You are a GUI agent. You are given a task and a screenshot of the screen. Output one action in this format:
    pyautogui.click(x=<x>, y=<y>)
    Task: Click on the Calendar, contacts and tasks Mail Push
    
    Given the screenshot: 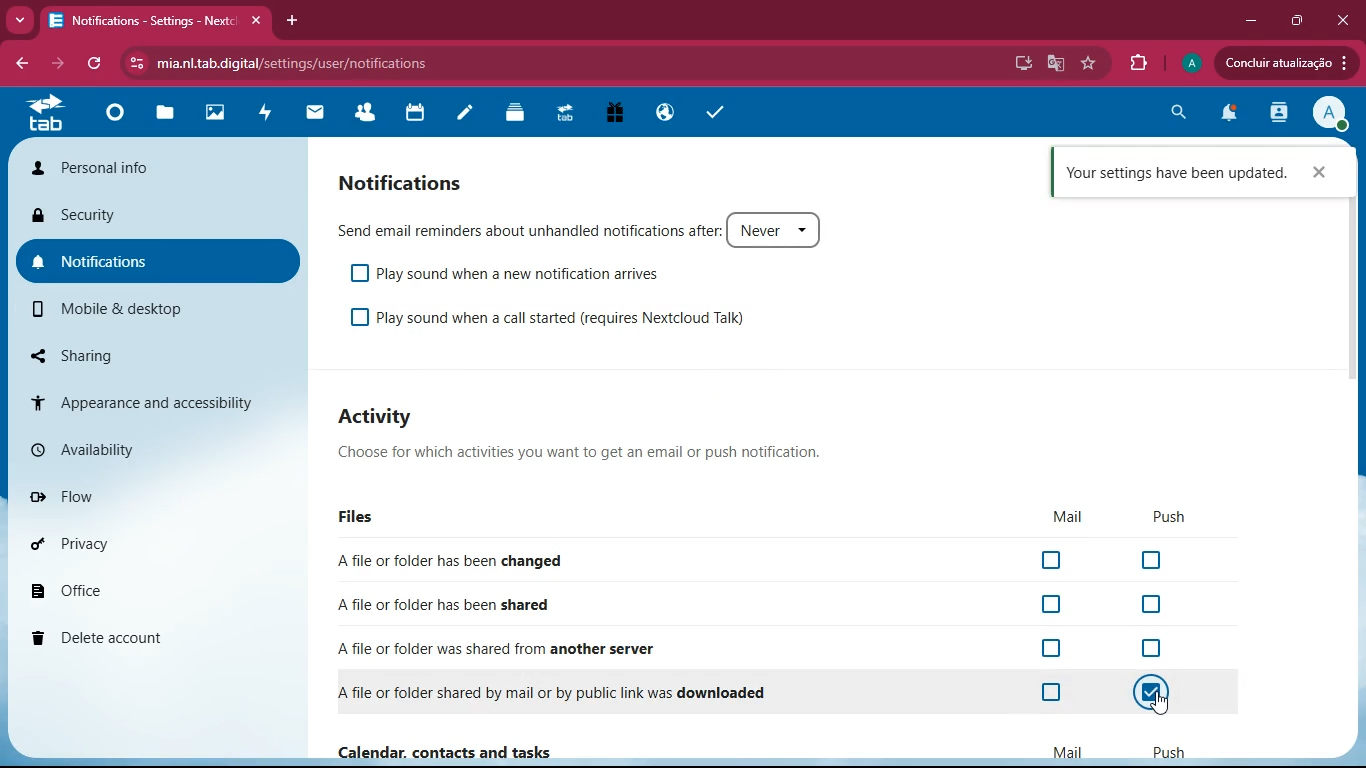 What is the action you would take?
    pyautogui.click(x=764, y=750)
    